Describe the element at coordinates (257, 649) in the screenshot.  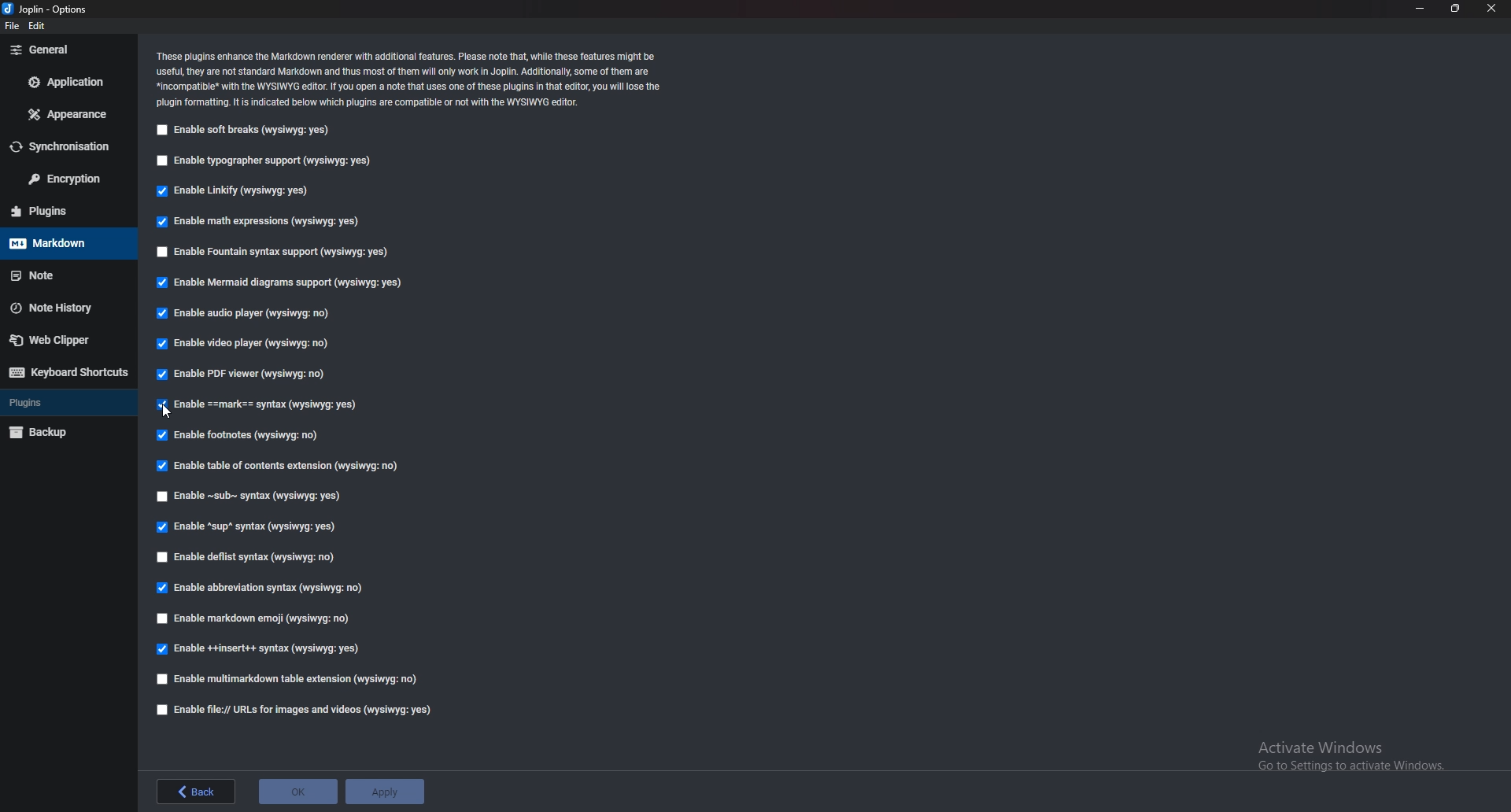
I see `enable insert syntax` at that location.